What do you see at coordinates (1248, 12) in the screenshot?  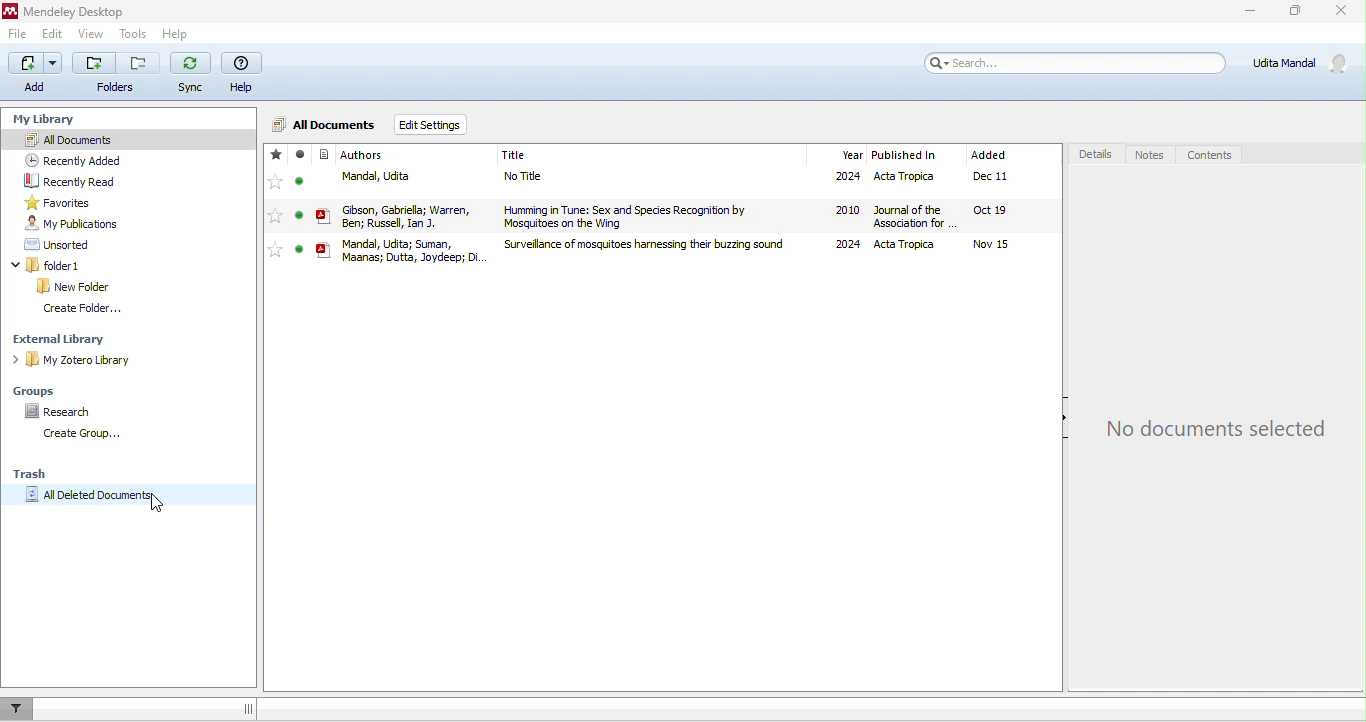 I see `minimize` at bounding box center [1248, 12].